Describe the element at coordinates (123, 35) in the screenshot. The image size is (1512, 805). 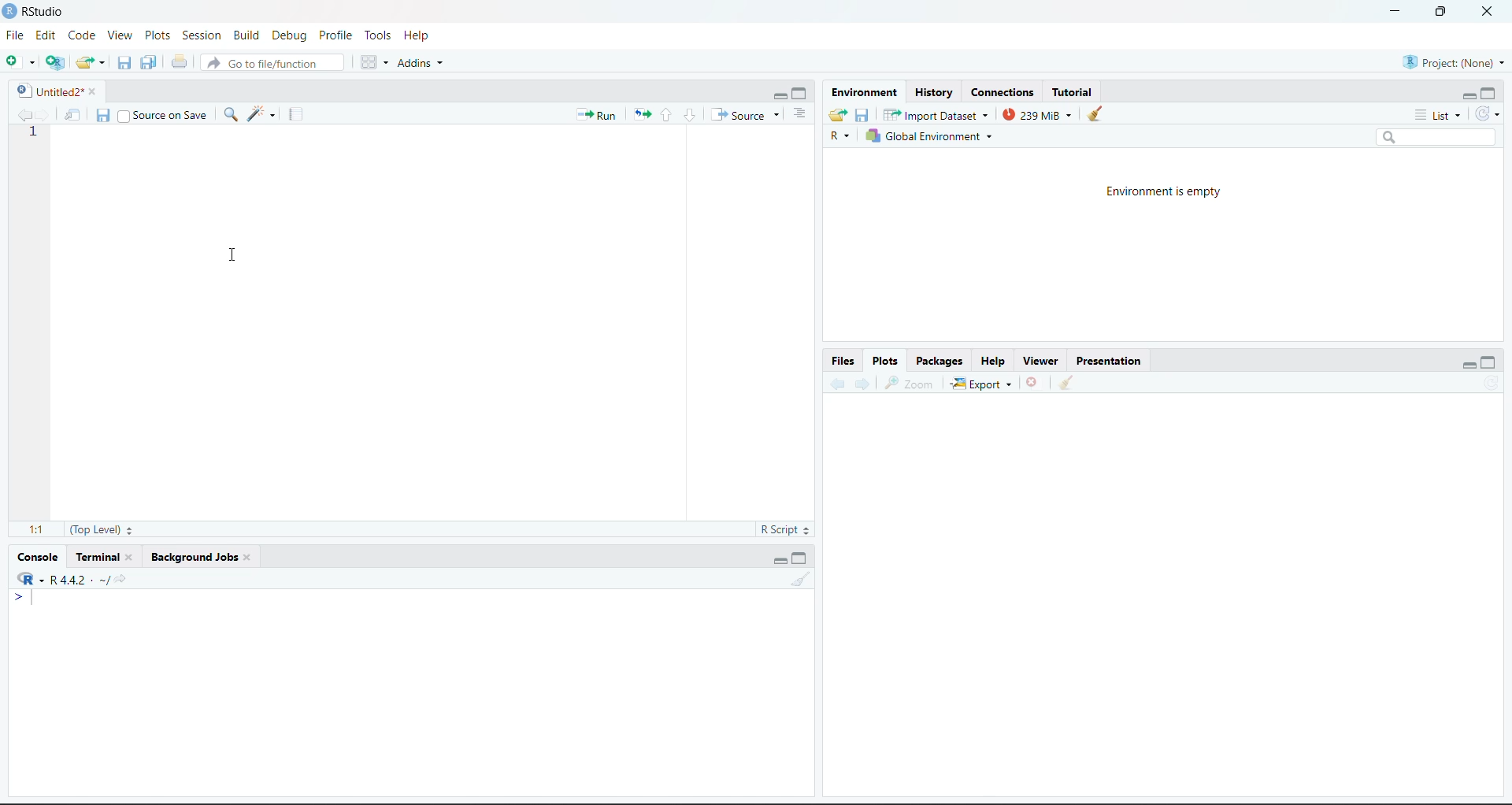
I see `View` at that location.